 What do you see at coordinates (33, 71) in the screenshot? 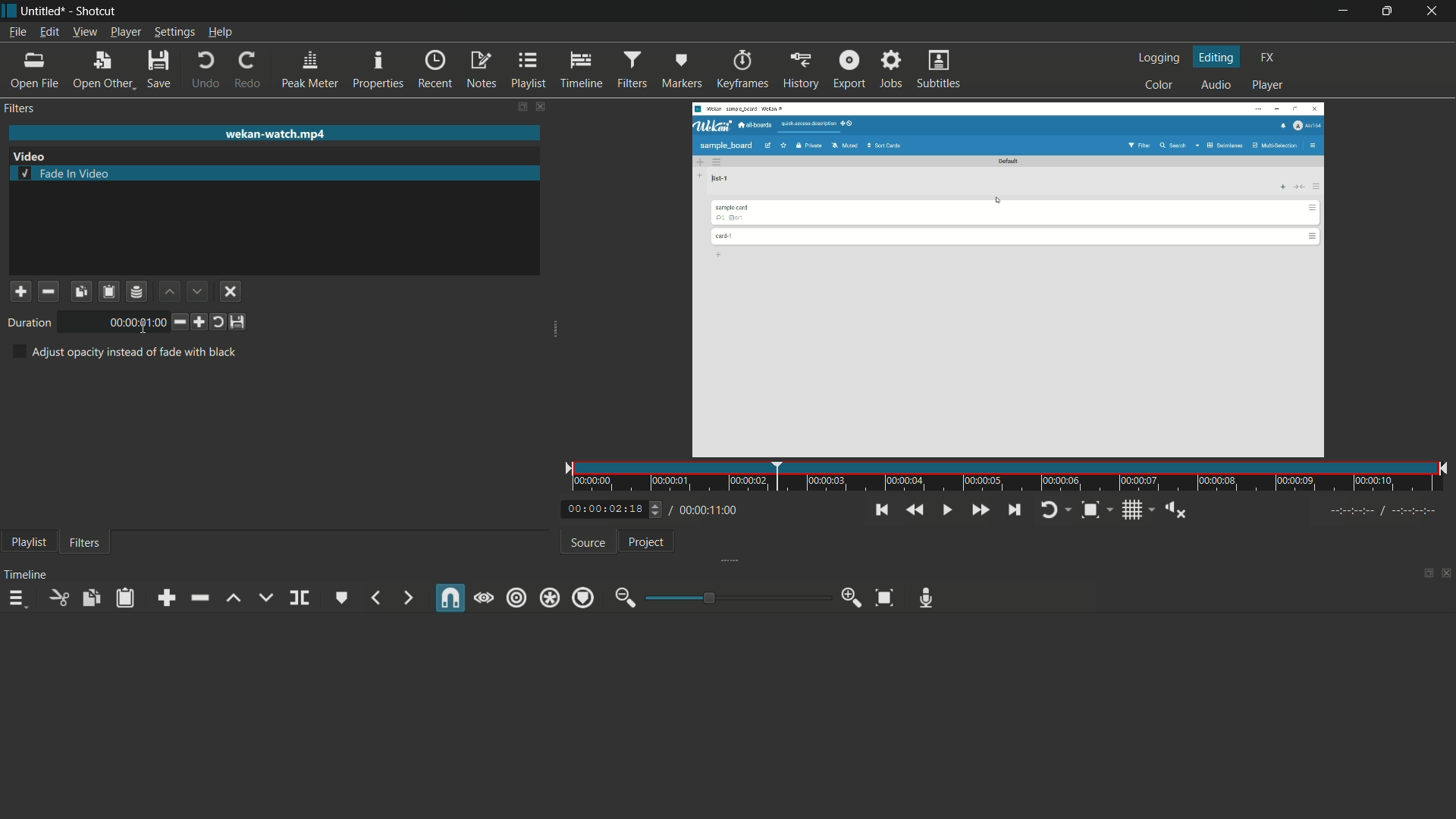
I see `open file` at bounding box center [33, 71].